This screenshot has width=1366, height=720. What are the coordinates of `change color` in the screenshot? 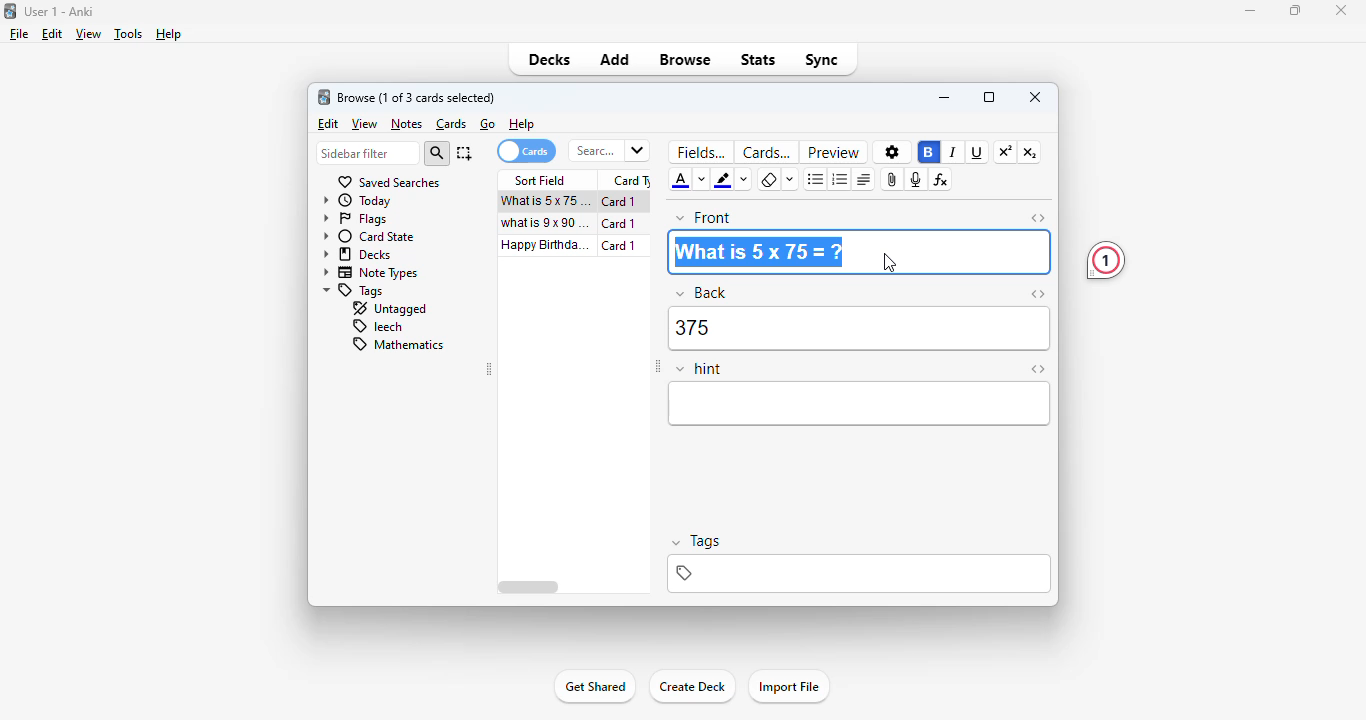 It's located at (744, 181).